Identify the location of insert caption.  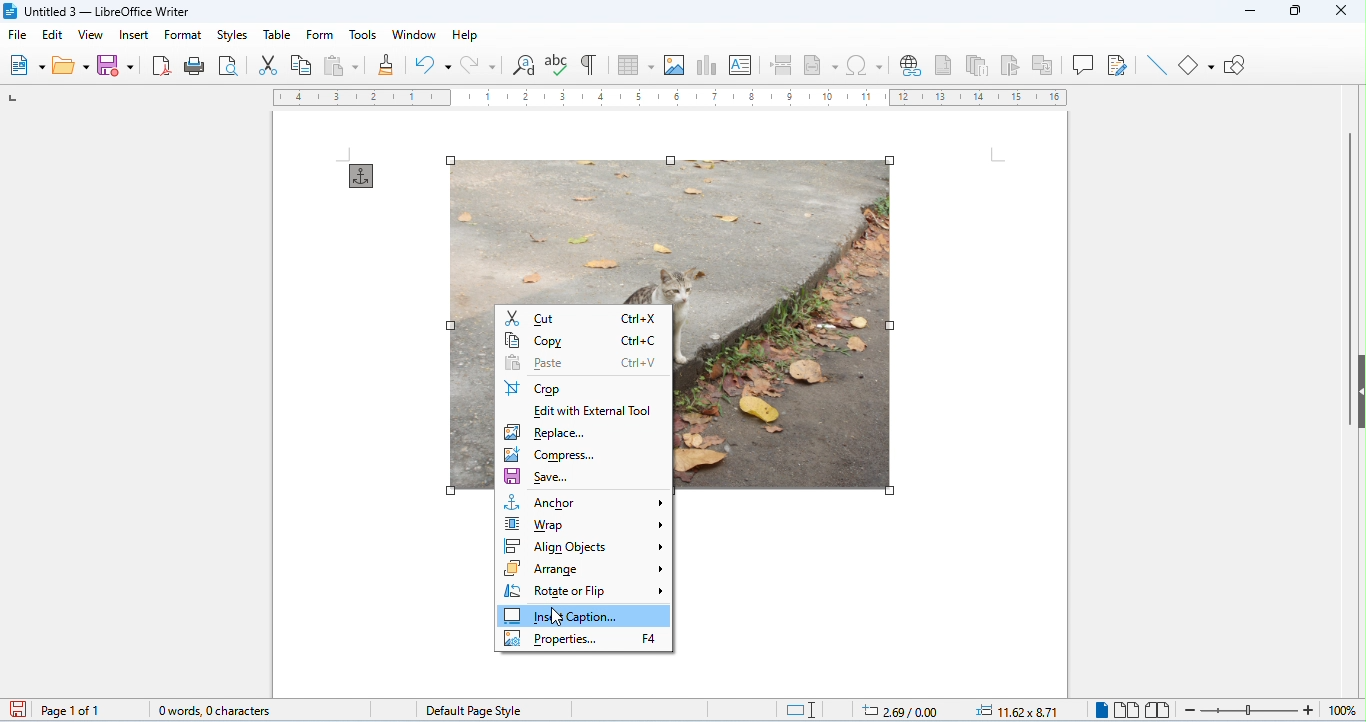
(585, 615).